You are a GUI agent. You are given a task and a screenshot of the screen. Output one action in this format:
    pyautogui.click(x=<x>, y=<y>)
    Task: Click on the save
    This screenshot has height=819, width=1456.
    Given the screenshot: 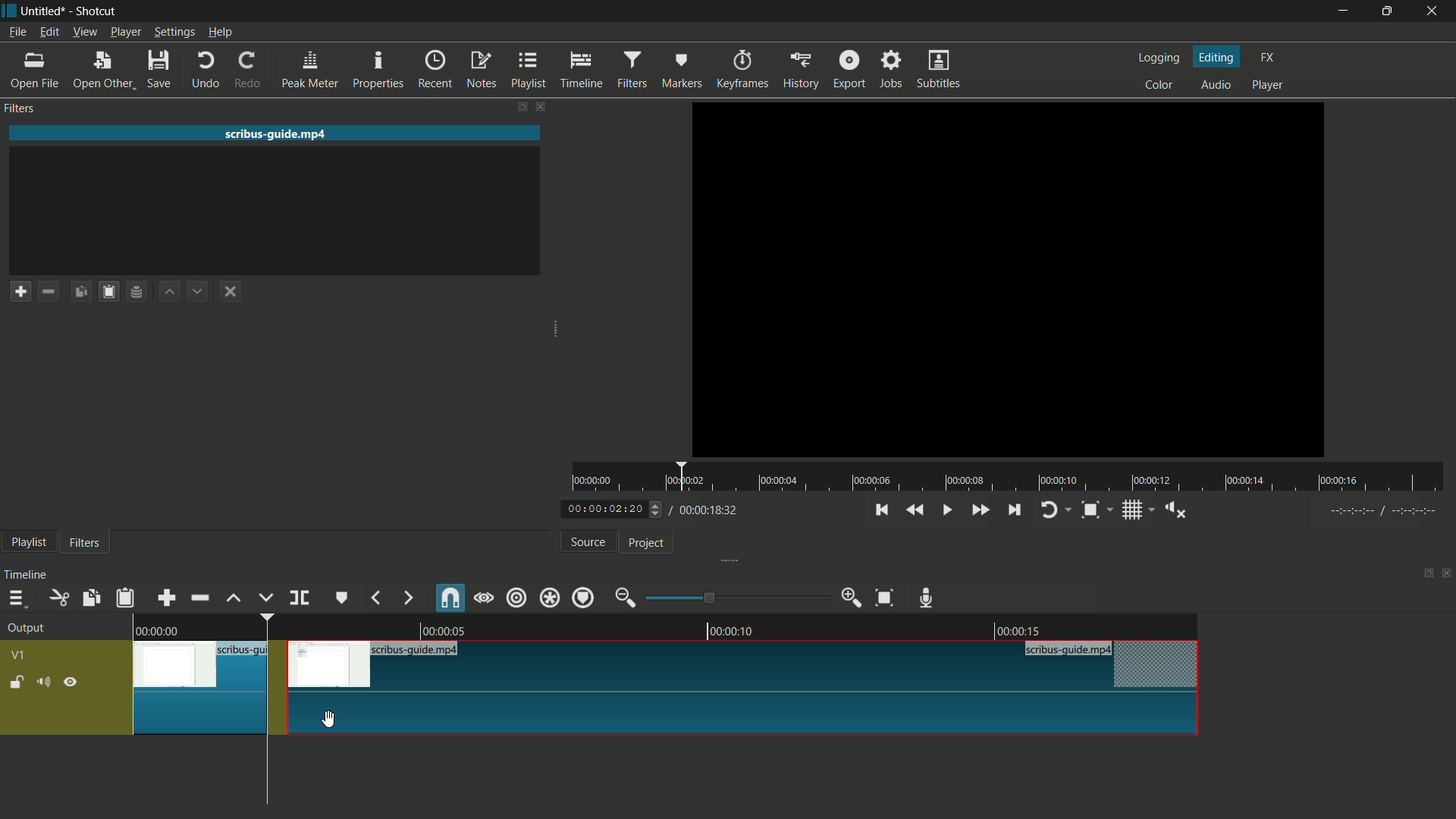 What is the action you would take?
    pyautogui.click(x=158, y=68)
    